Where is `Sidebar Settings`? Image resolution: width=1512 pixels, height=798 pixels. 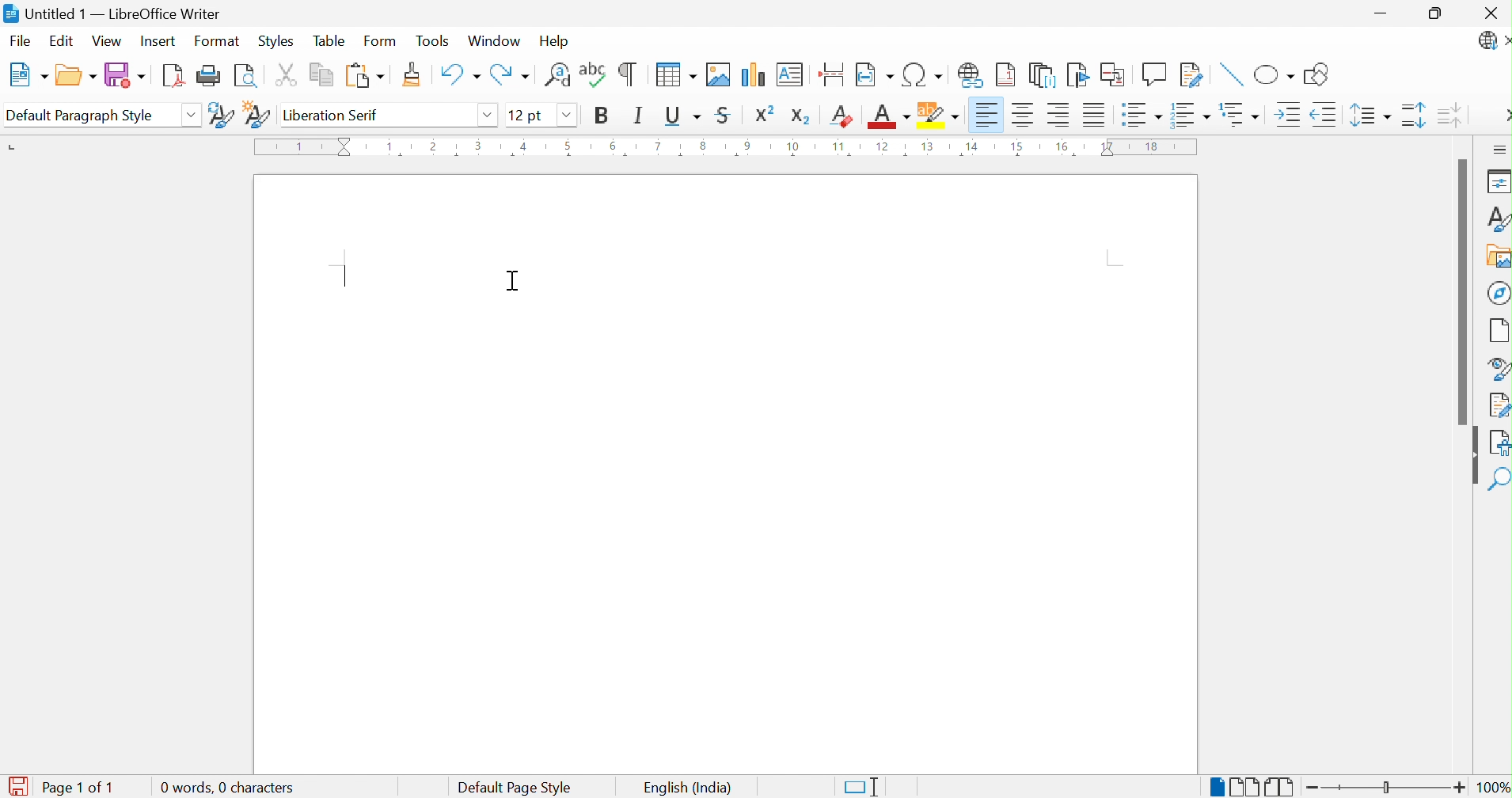
Sidebar Settings is located at coordinates (1499, 149).